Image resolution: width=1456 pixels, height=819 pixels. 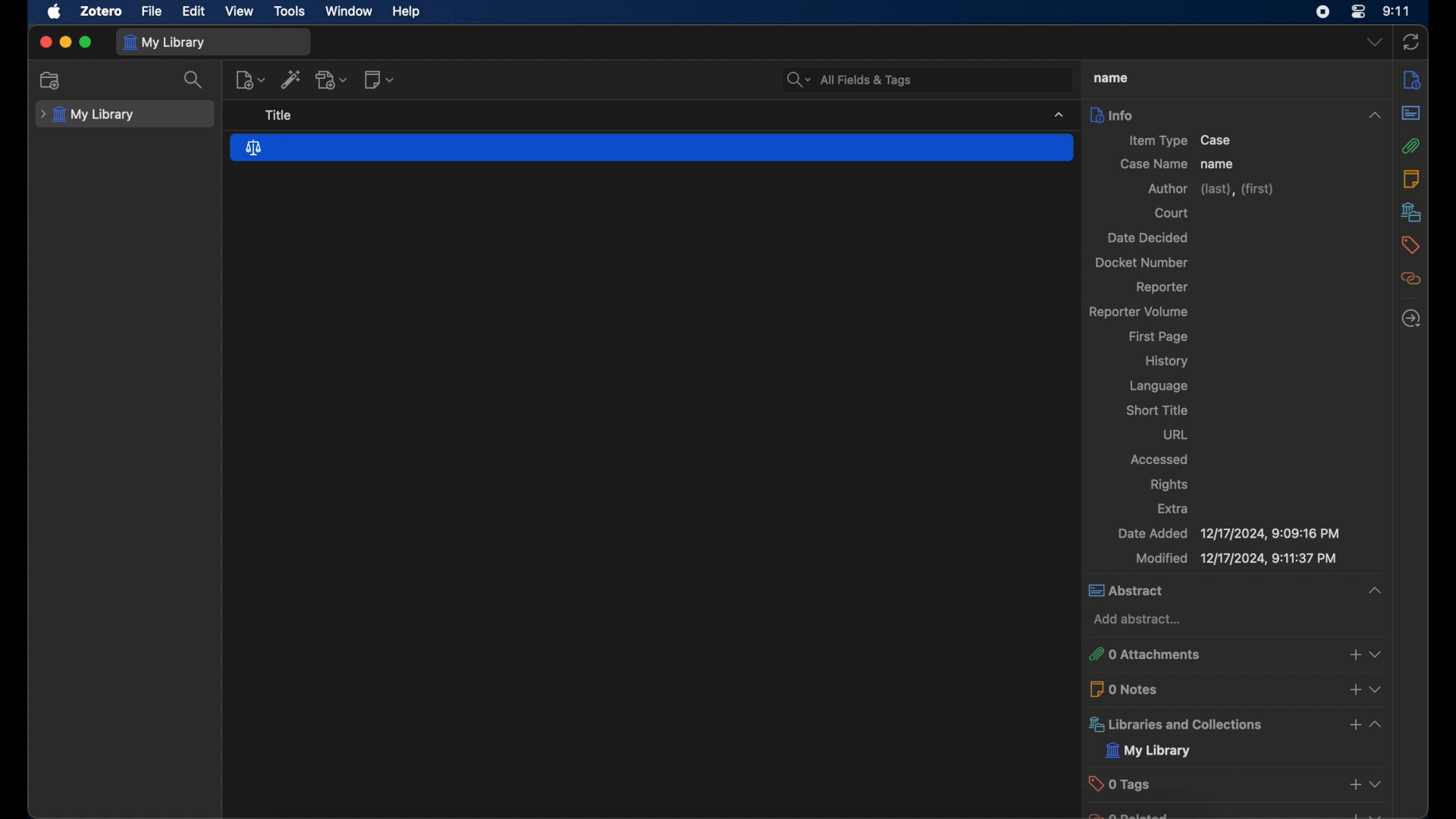 What do you see at coordinates (290, 11) in the screenshot?
I see `tools` at bounding box center [290, 11].